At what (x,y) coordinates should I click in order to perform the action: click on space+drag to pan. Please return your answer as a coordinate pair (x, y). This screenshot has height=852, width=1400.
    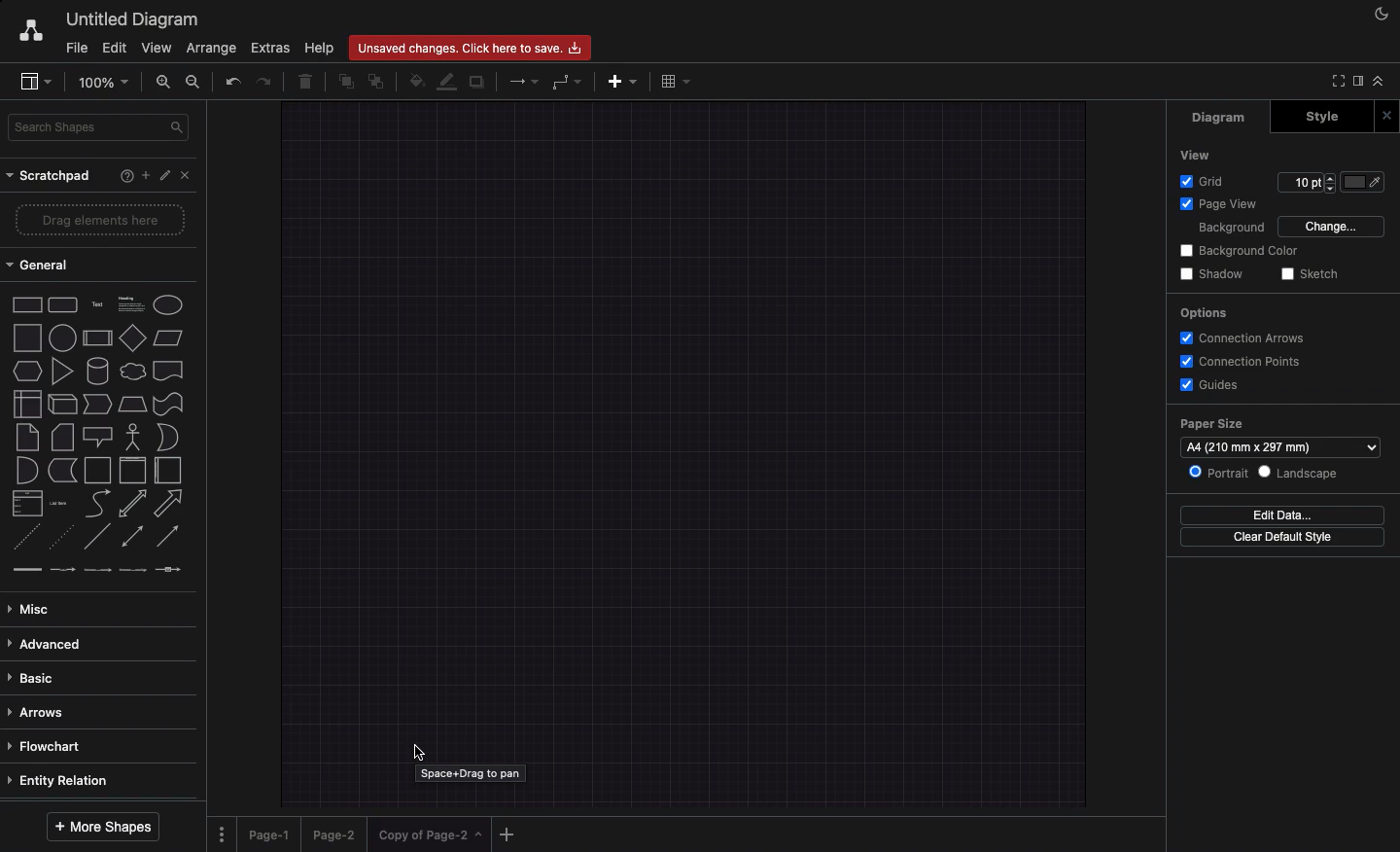
    Looking at the image, I should click on (472, 775).